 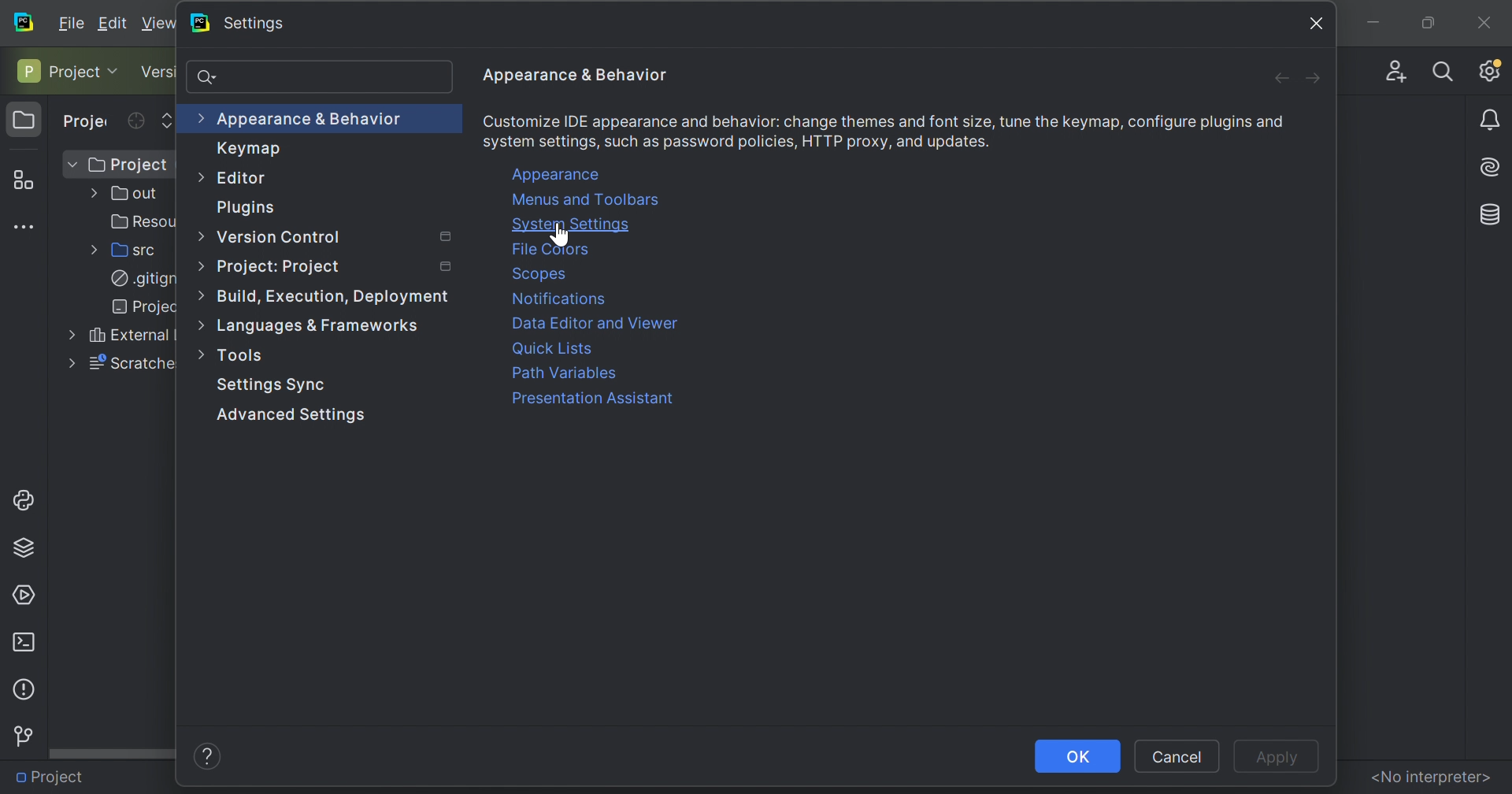 I want to click on Path Variables, so click(x=567, y=374).